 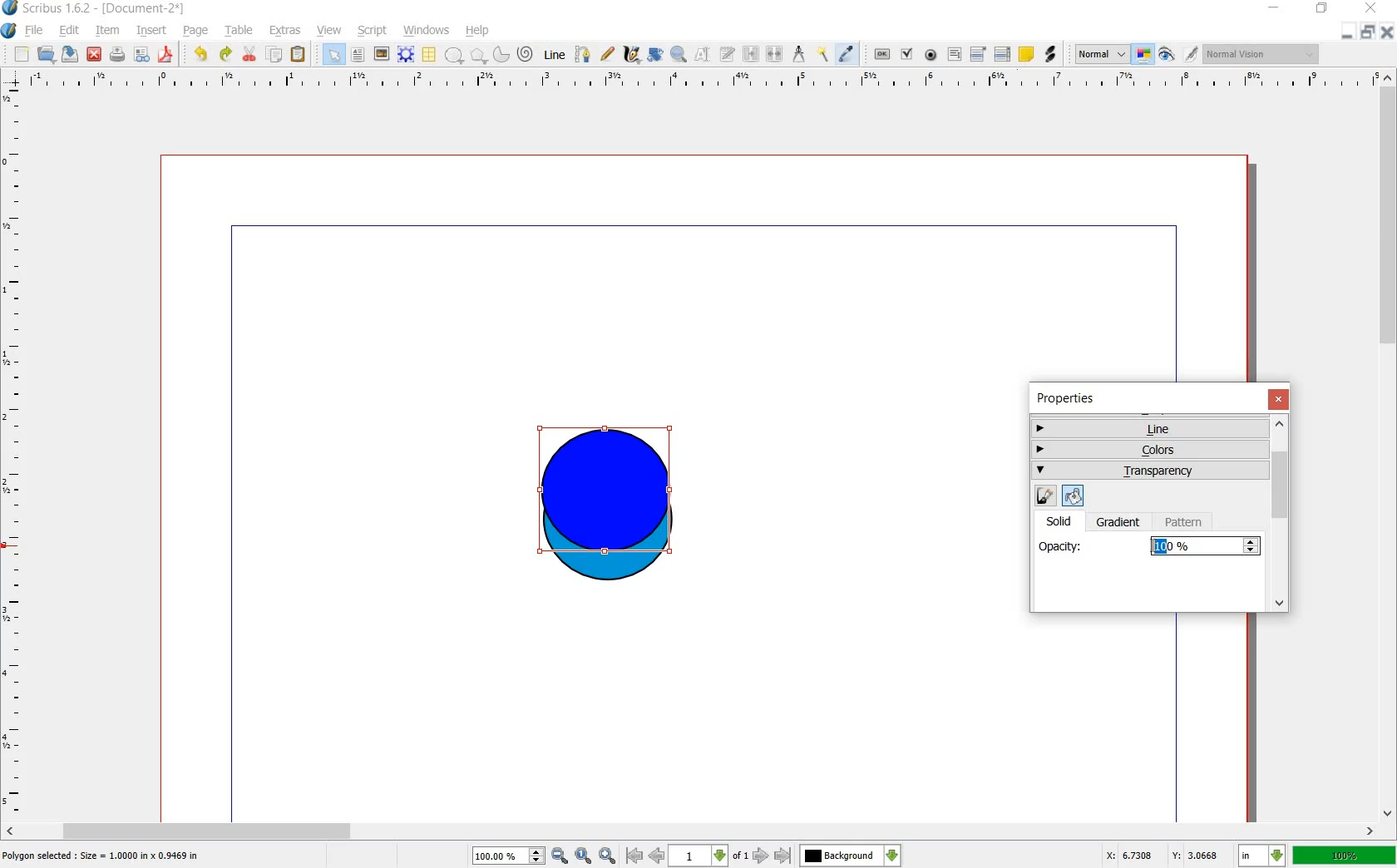 I want to click on zoom in or out, so click(x=679, y=57).